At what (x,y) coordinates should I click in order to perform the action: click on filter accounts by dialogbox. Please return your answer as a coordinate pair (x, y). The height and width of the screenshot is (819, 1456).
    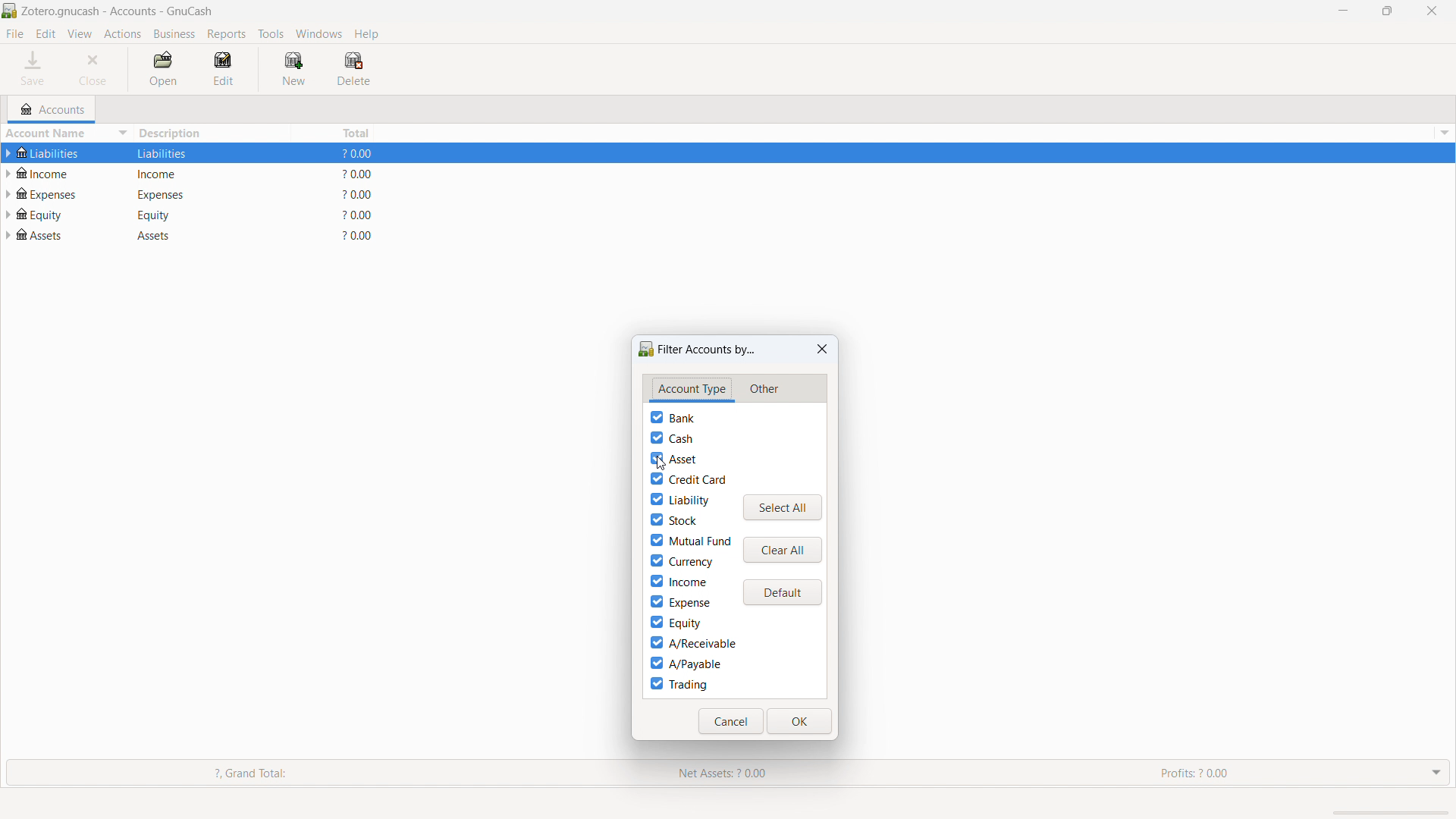
    Looking at the image, I should click on (697, 350).